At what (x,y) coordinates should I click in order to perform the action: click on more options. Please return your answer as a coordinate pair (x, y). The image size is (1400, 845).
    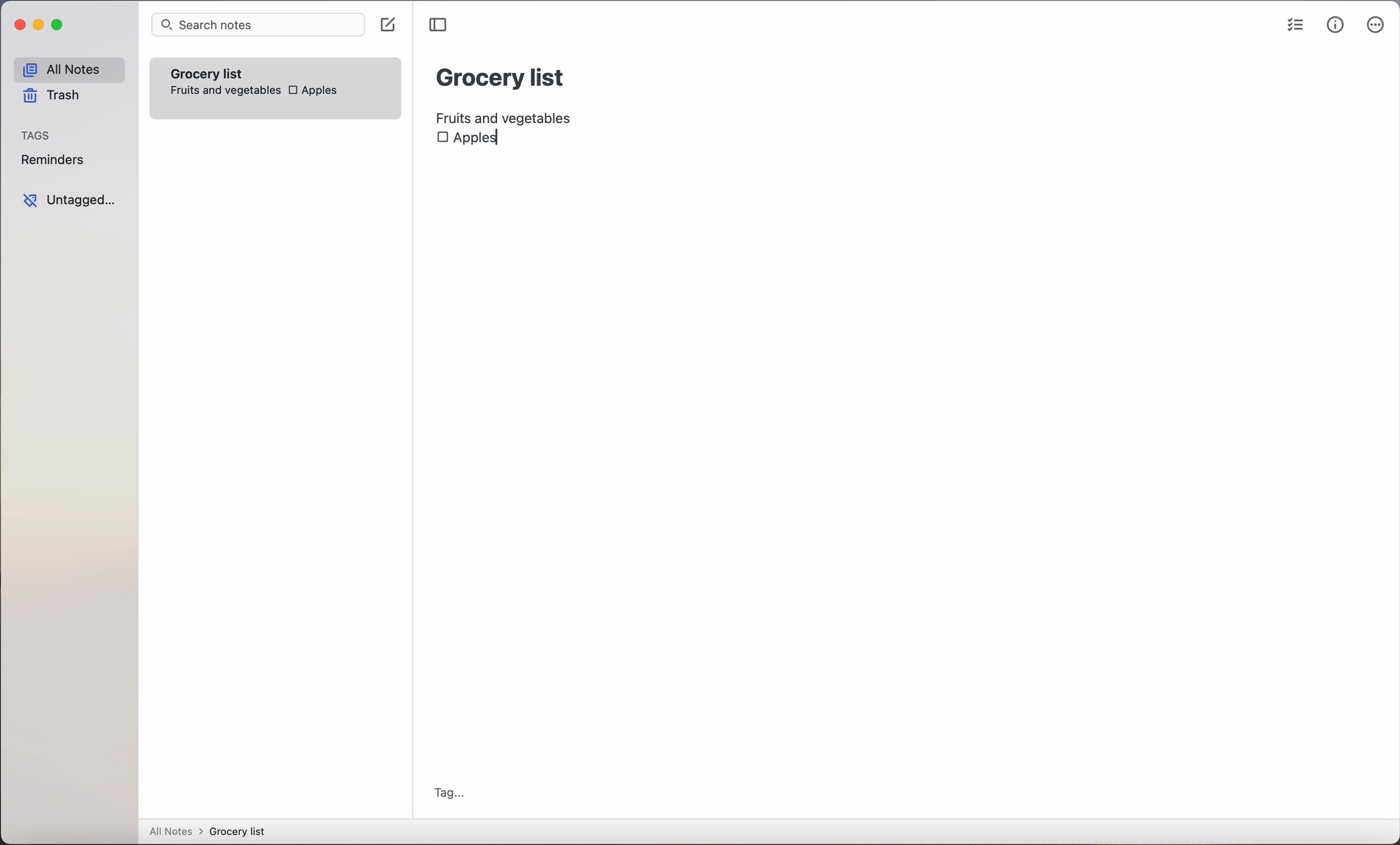
    Looking at the image, I should click on (1376, 27).